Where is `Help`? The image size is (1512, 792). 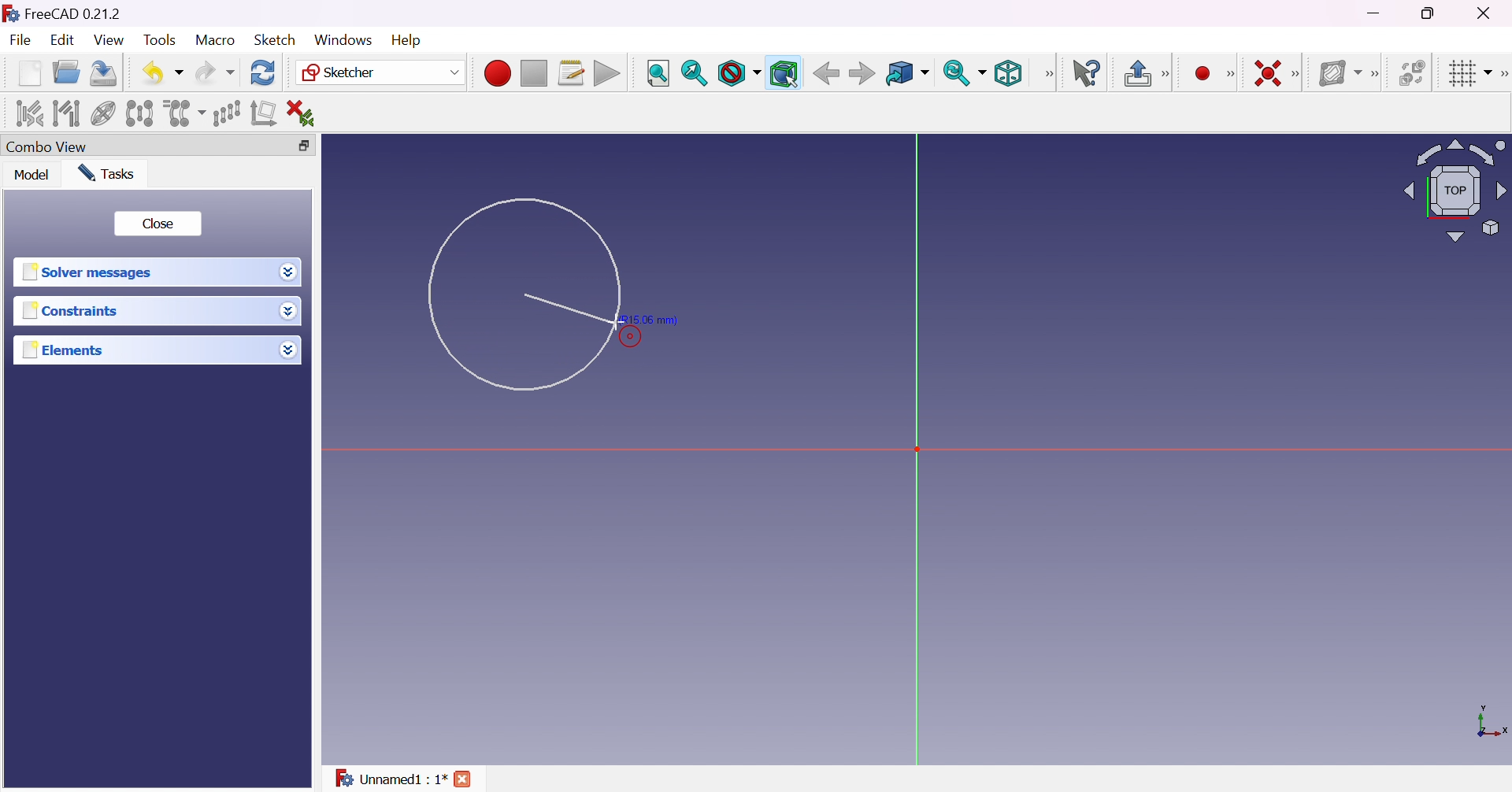 Help is located at coordinates (408, 40).